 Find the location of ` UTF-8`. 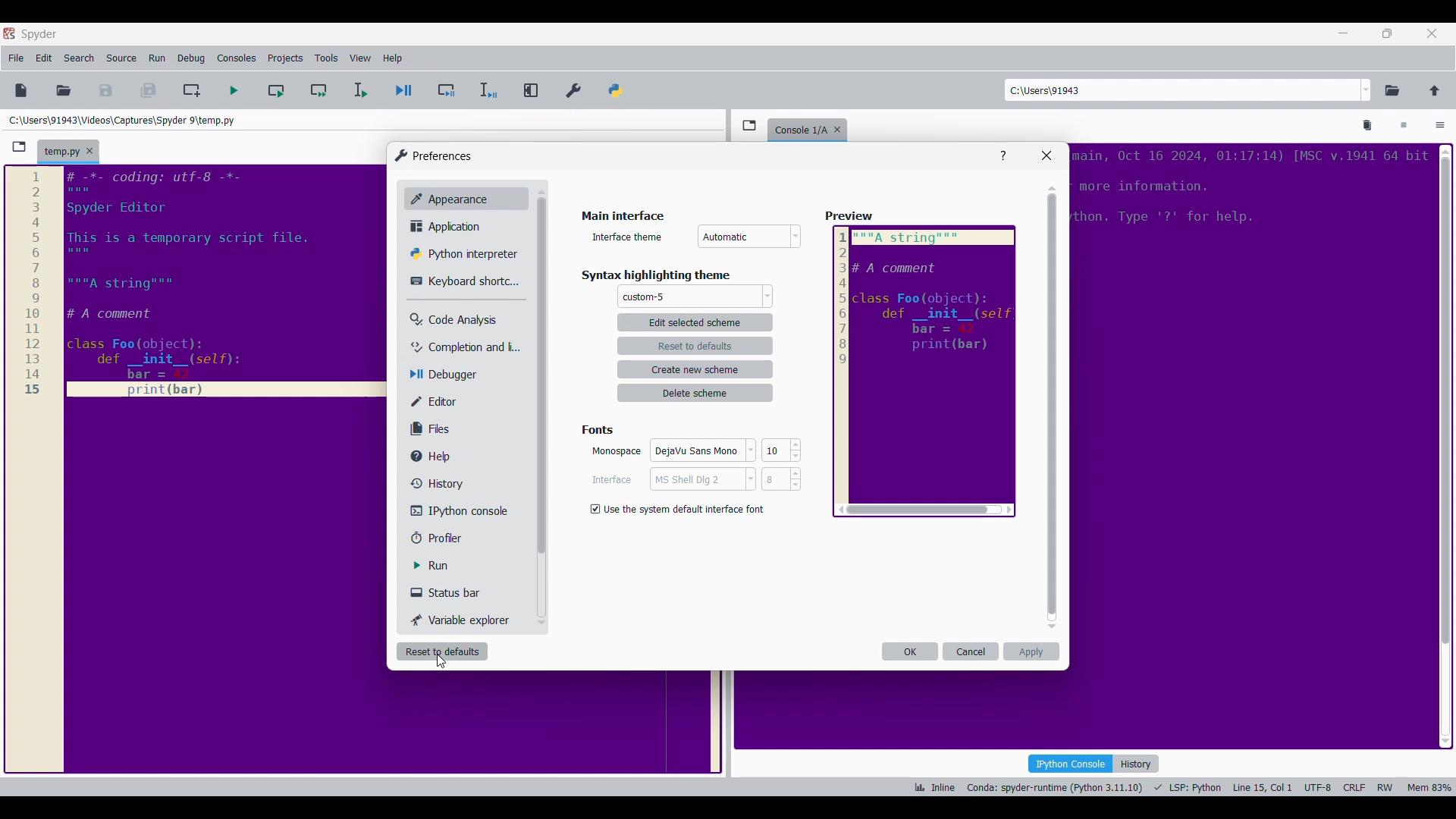

 UTF-8 is located at coordinates (1317, 788).